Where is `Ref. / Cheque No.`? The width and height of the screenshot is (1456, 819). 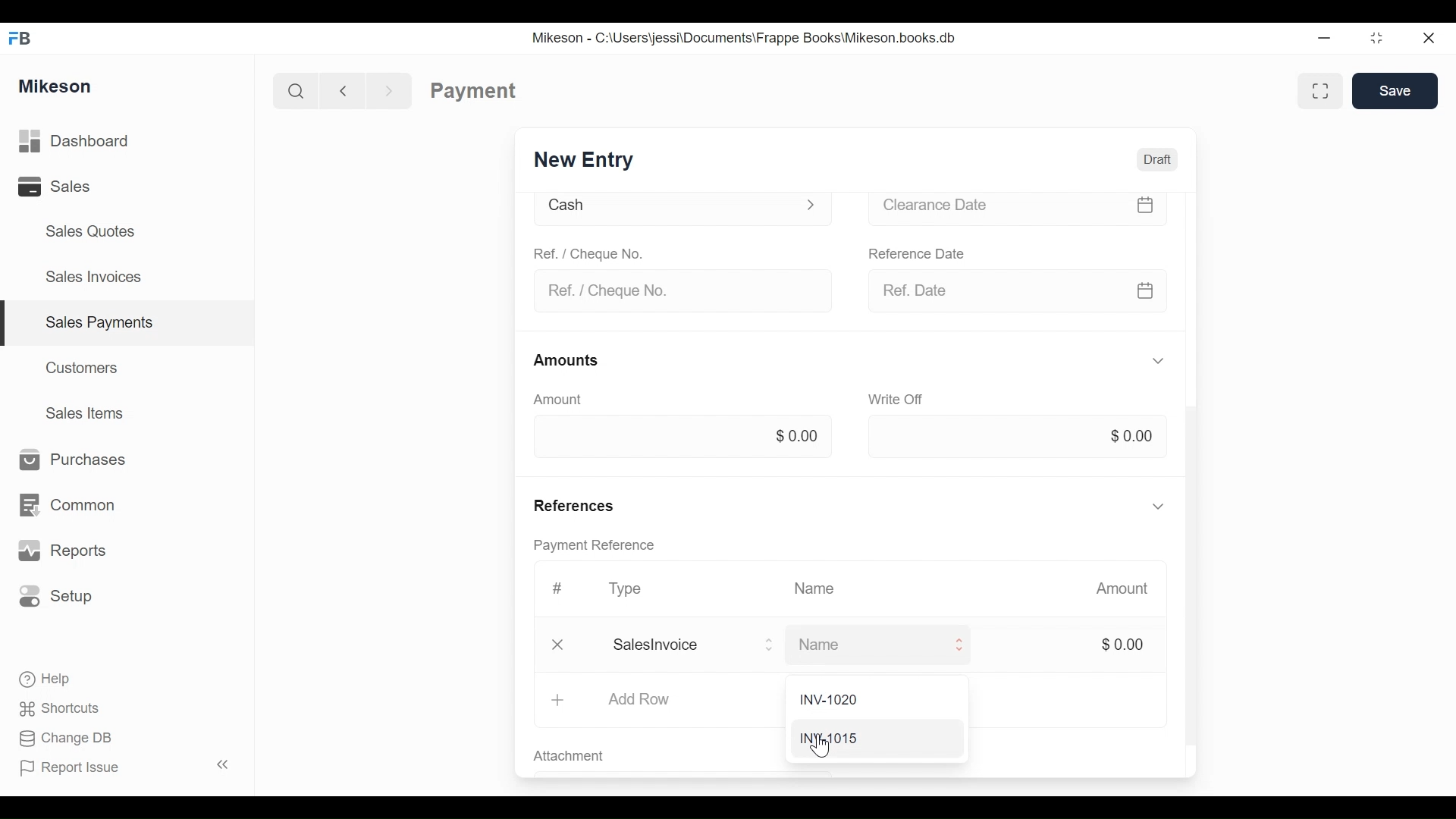 Ref. / Cheque No. is located at coordinates (678, 290).